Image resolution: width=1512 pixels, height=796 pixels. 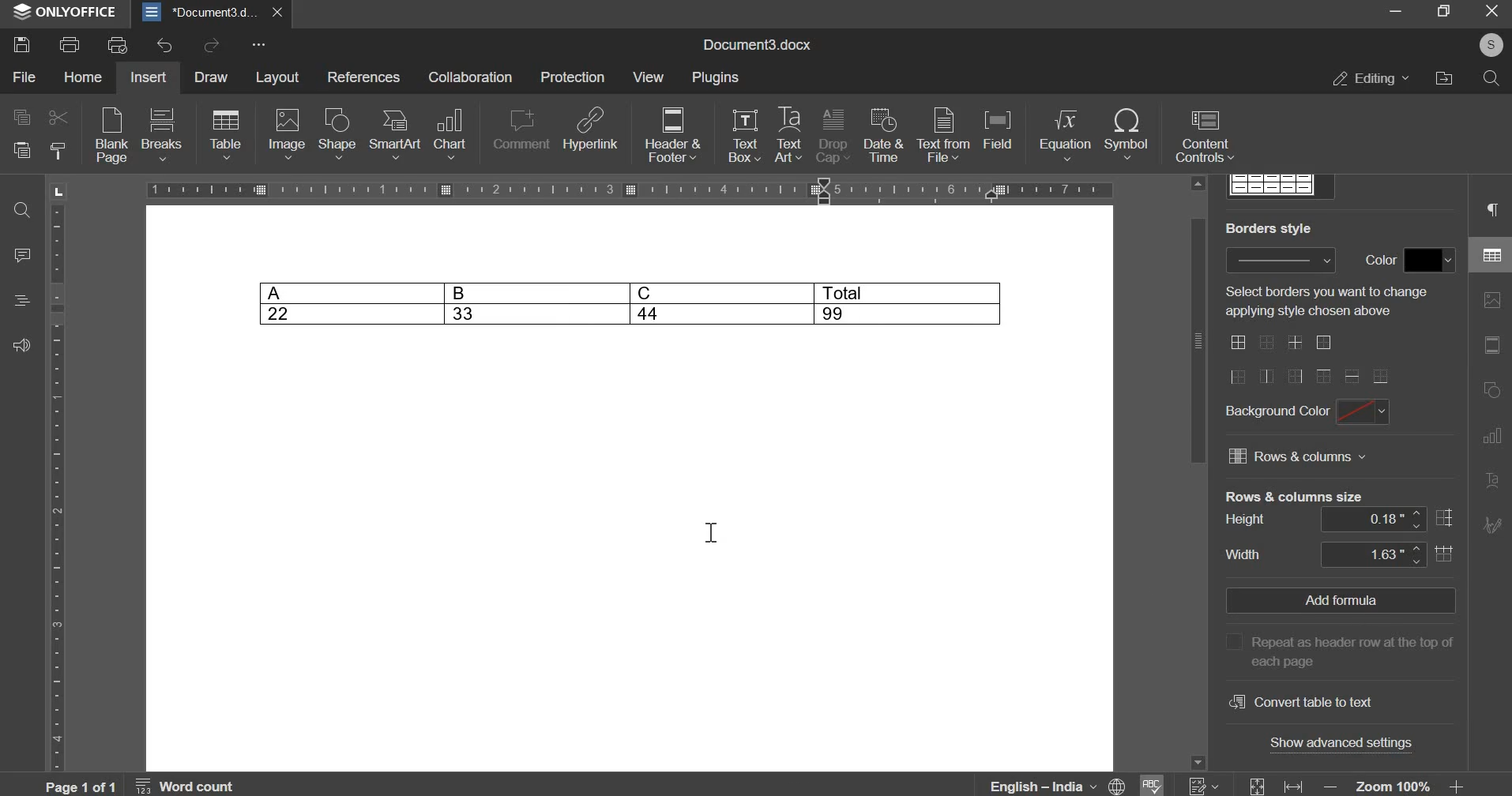 I want to click on rows and columns, so click(x=1299, y=460).